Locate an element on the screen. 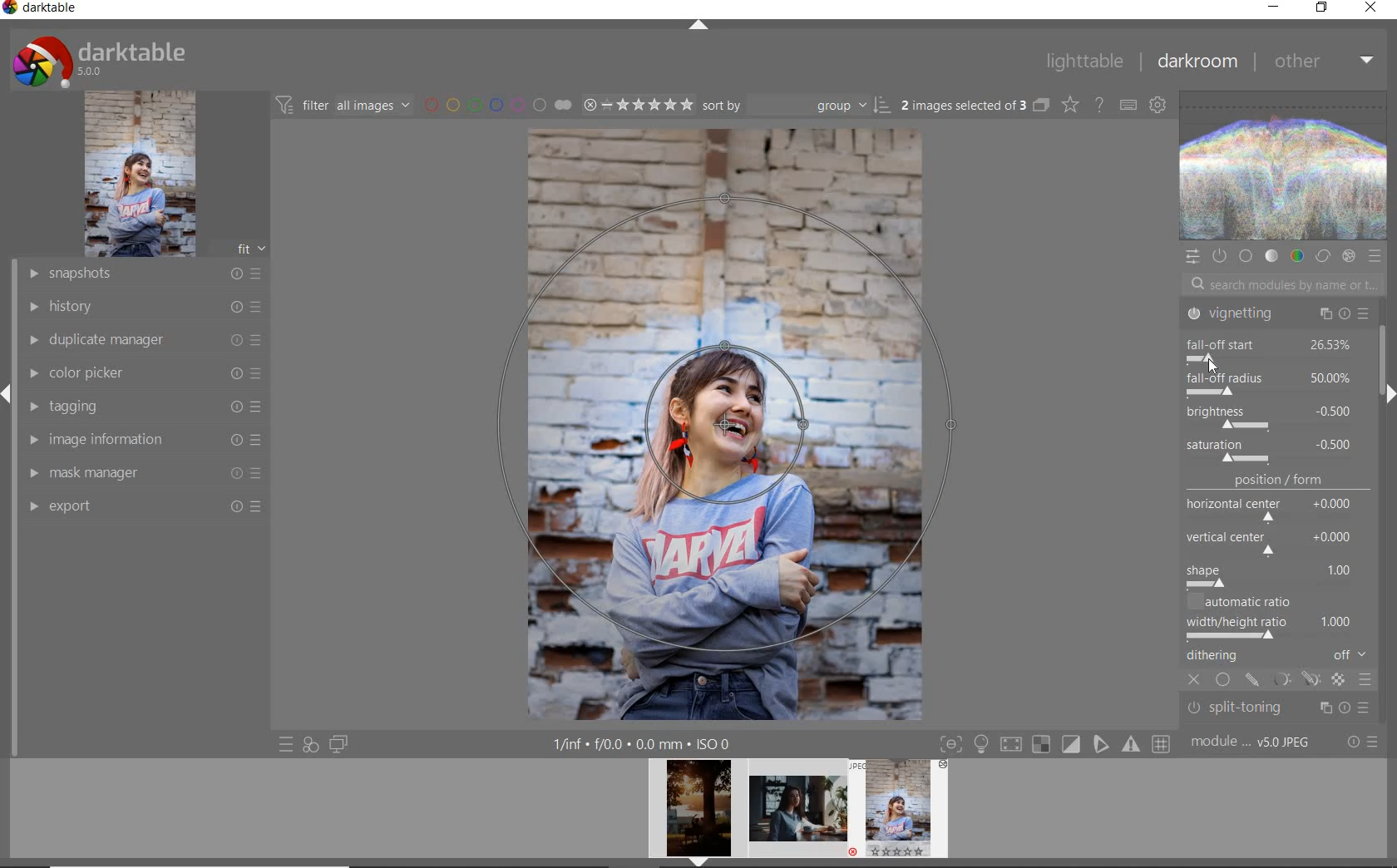  position/form is located at coordinates (1279, 531).